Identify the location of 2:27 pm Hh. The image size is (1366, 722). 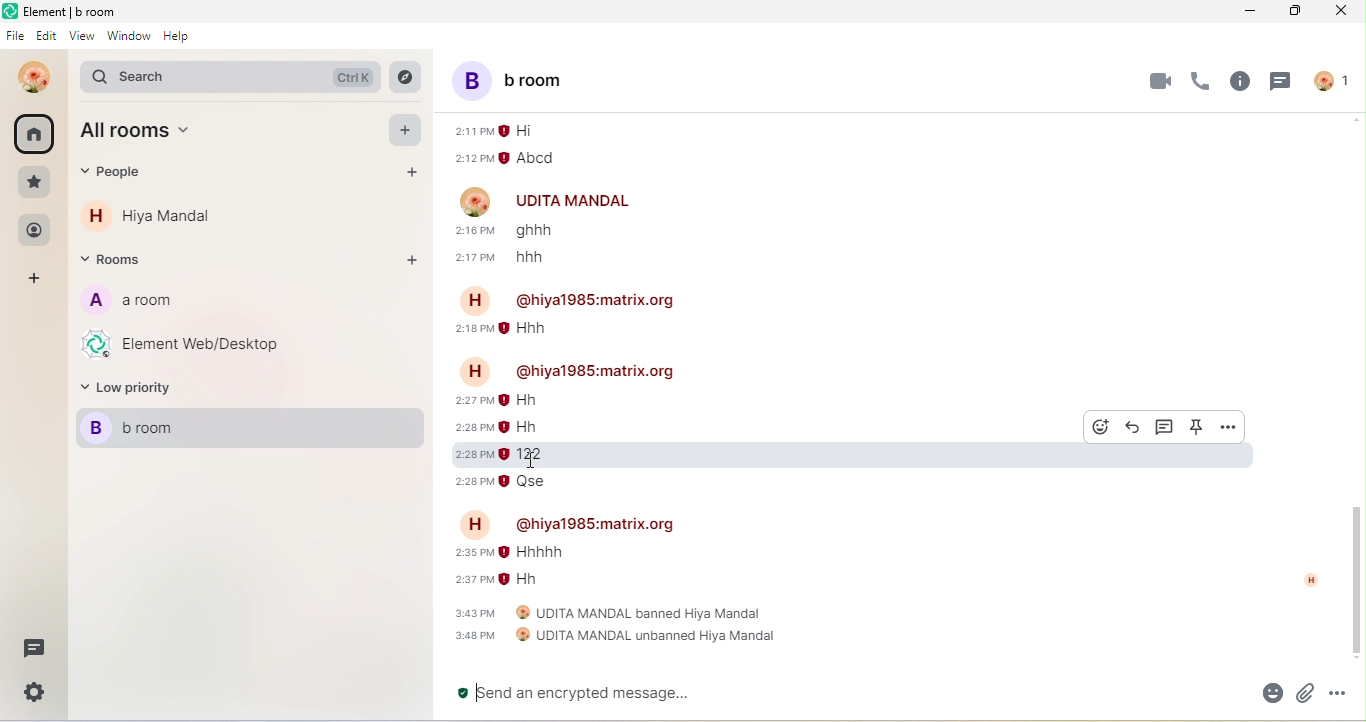
(499, 400).